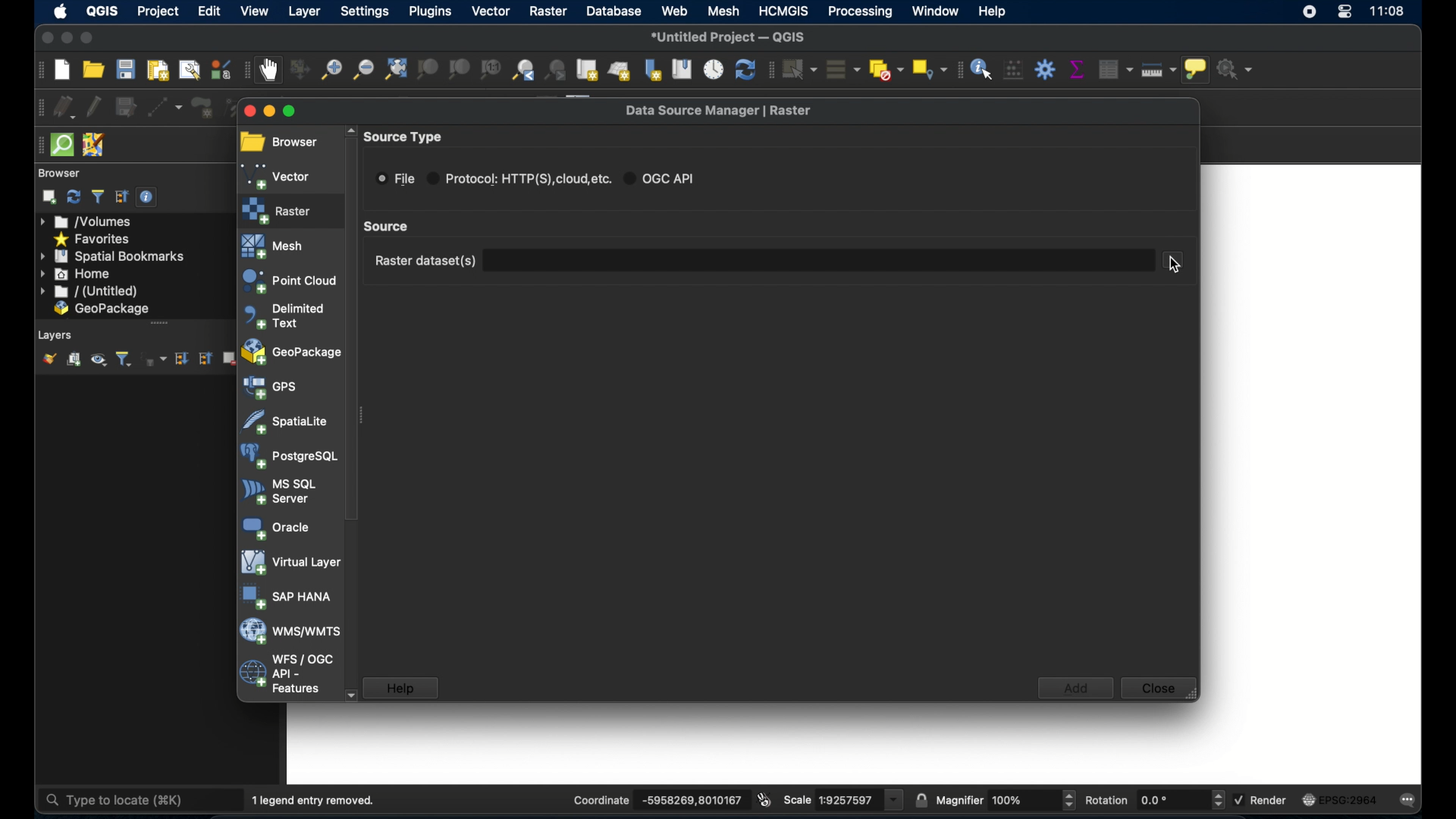 This screenshot has width=1456, height=819. Describe the element at coordinates (113, 256) in the screenshot. I see `spatial bookmarks` at that location.